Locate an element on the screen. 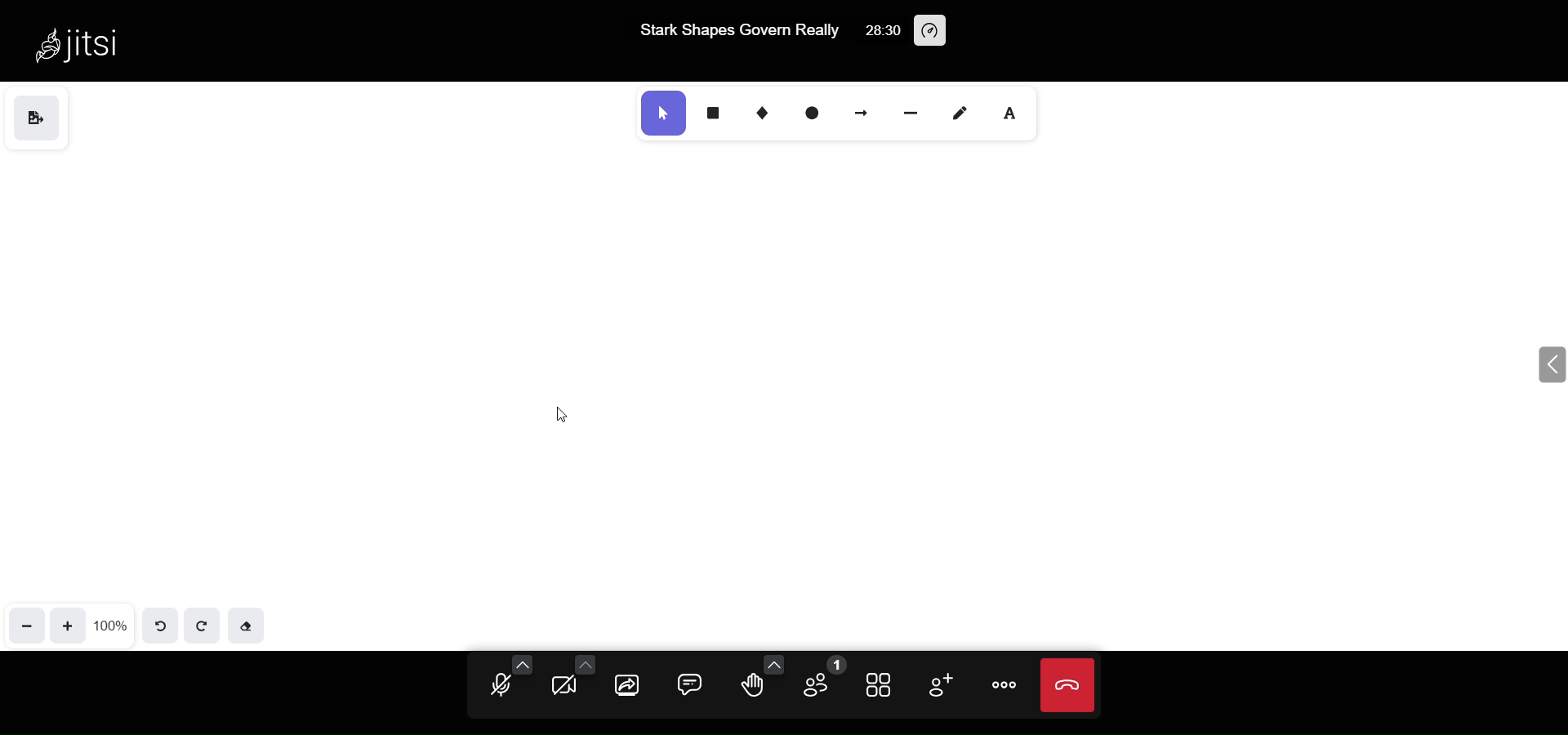  raise hand is located at coordinates (753, 689).